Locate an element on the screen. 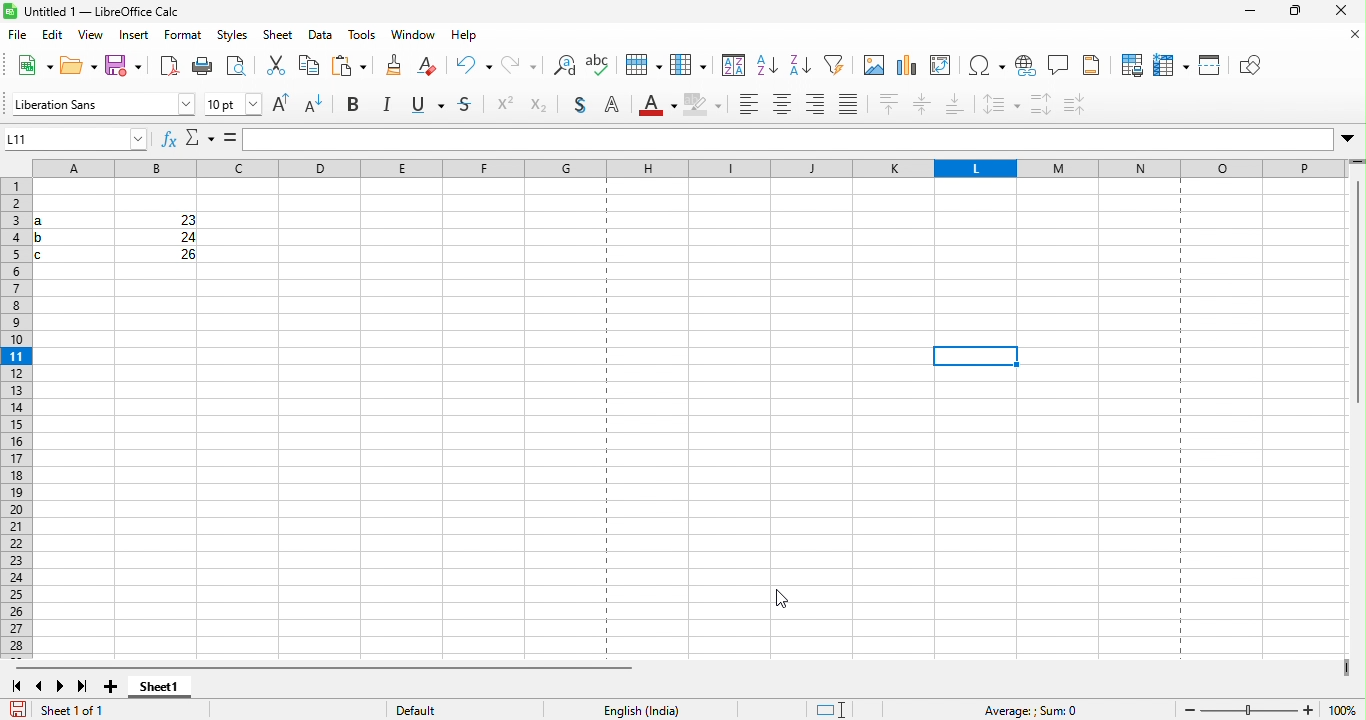 This screenshot has height=720, width=1366. last sheet is located at coordinates (84, 683).